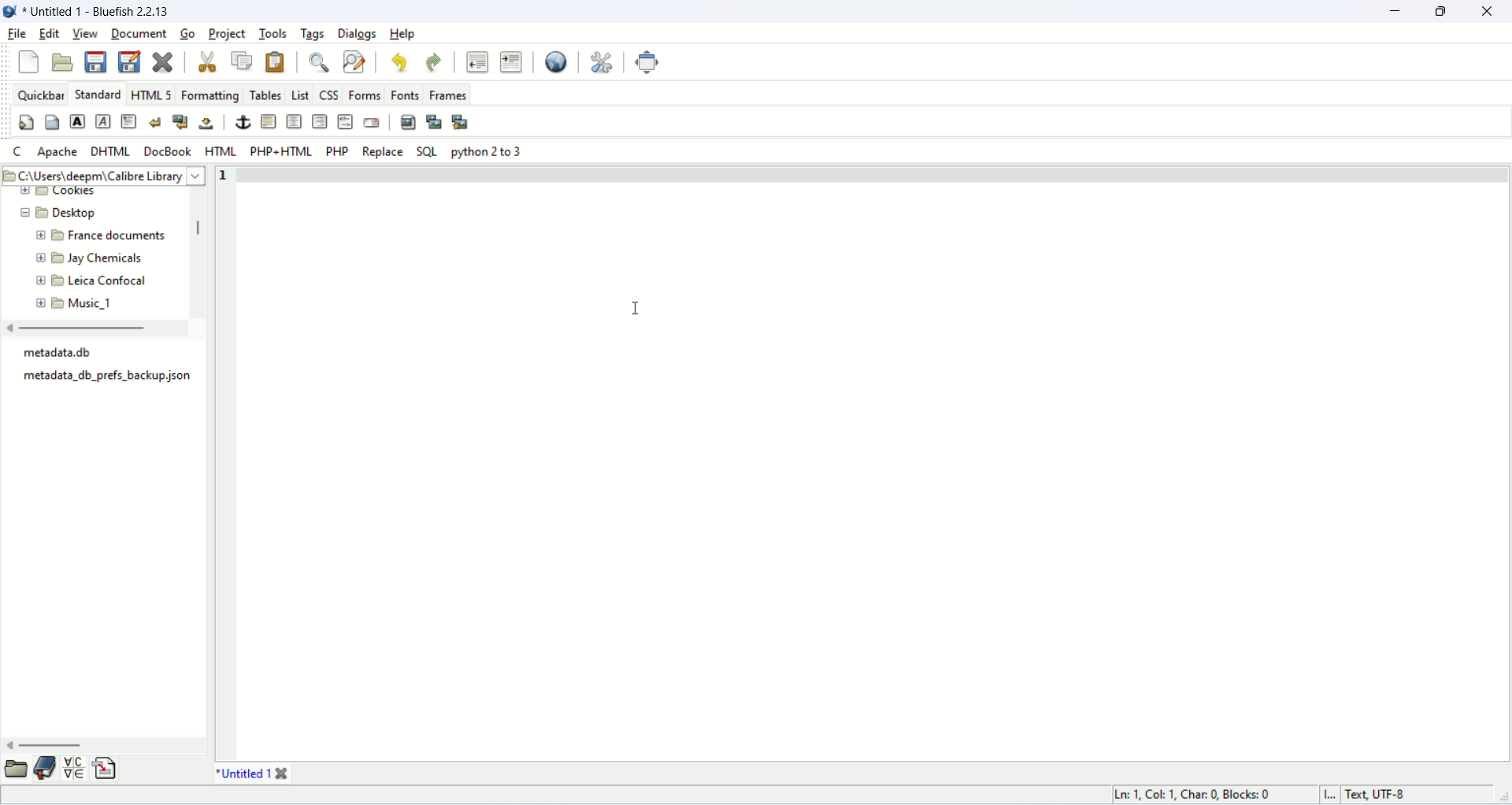 The height and width of the screenshot is (805, 1512). Describe the element at coordinates (211, 95) in the screenshot. I see `Formatting` at that location.